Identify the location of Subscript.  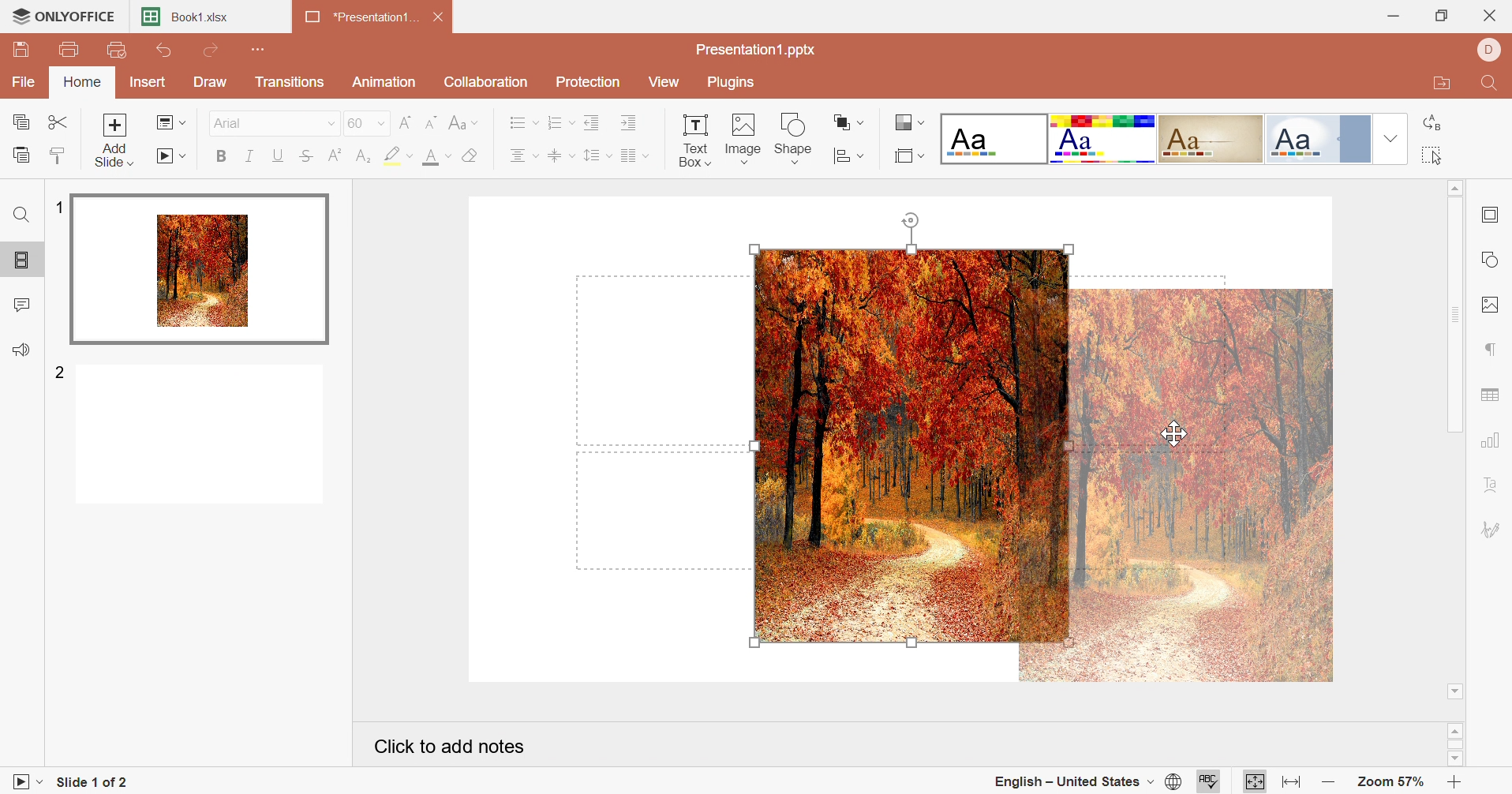
(363, 155).